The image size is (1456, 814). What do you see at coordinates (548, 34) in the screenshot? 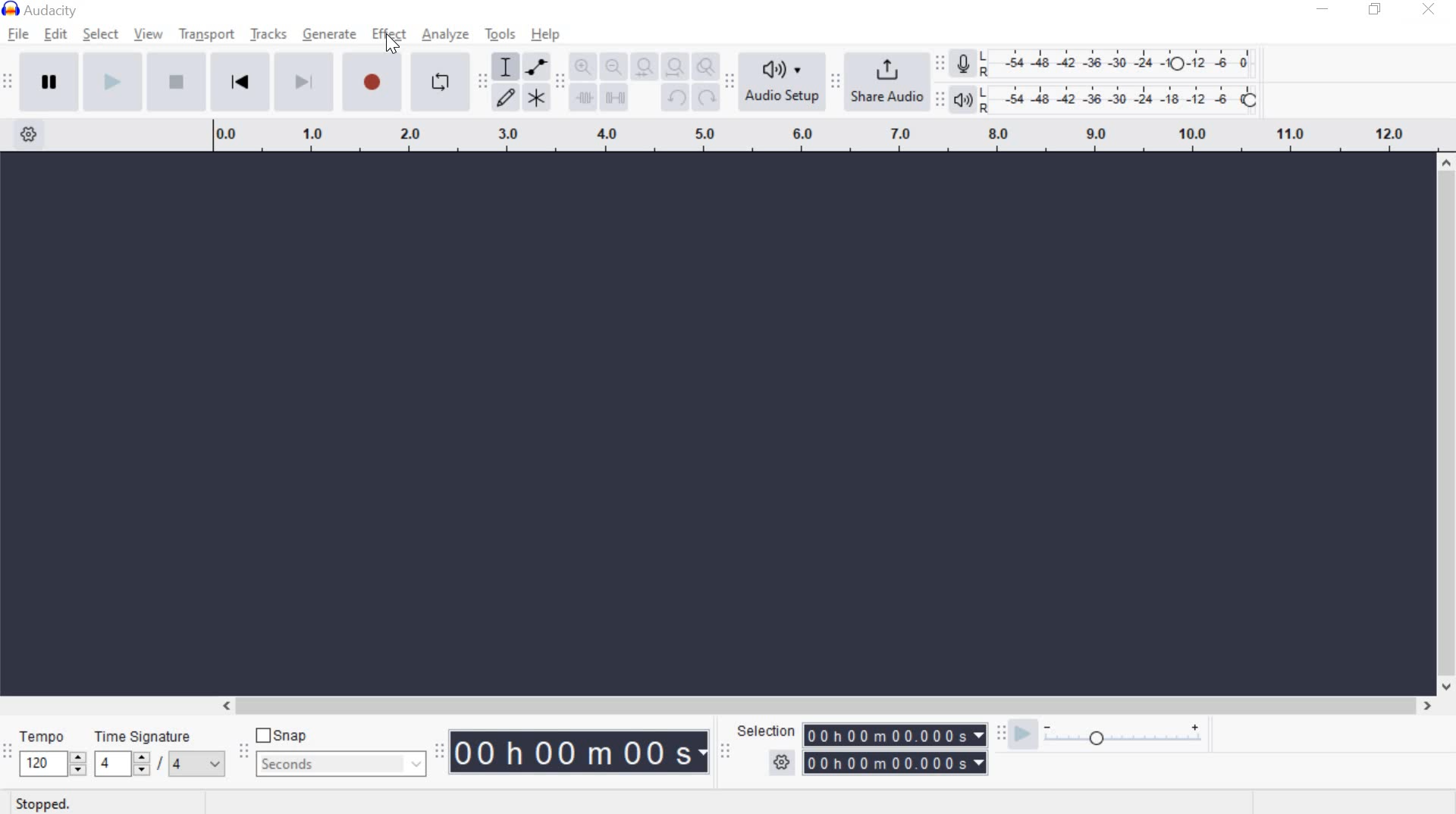
I see `help` at bounding box center [548, 34].